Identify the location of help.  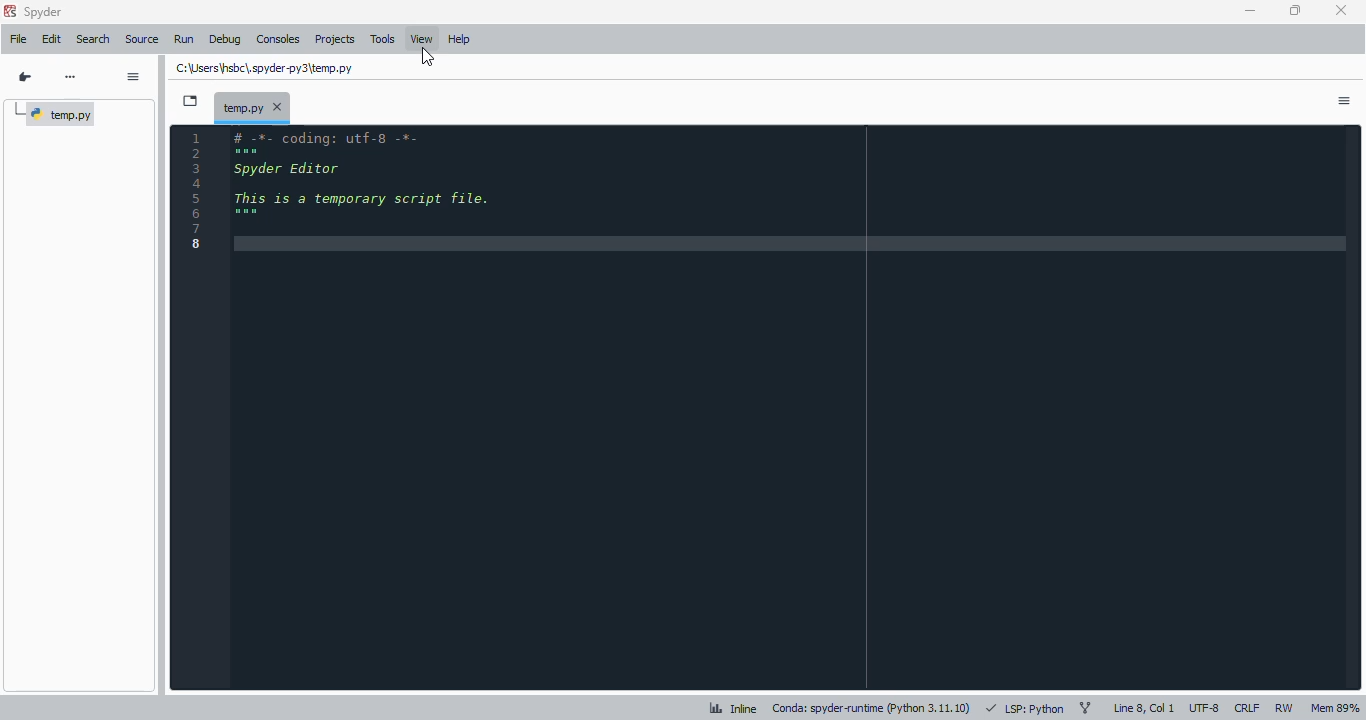
(459, 40).